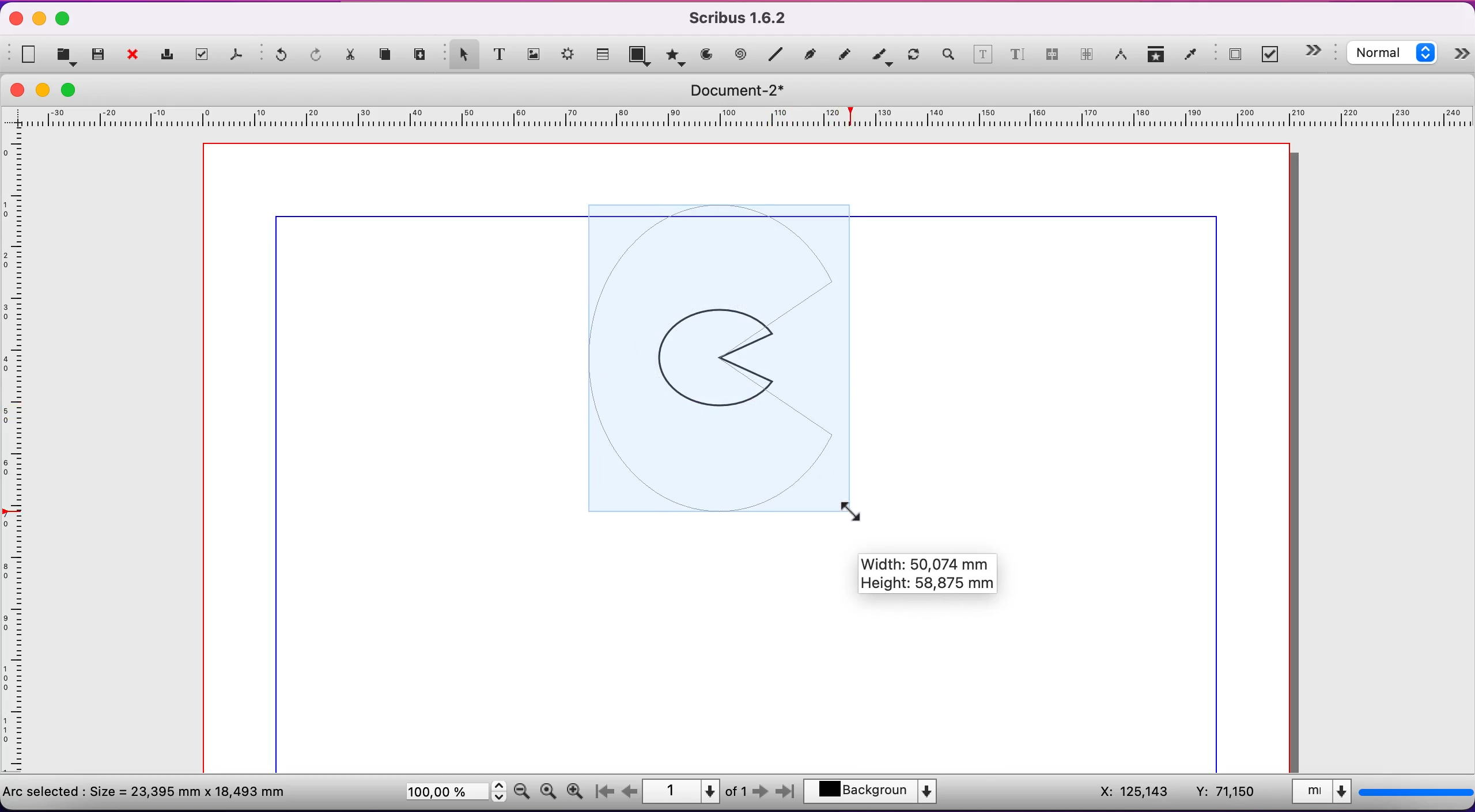 The height and width of the screenshot is (812, 1475). Describe the element at coordinates (569, 57) in the screenshot. I see `render frame` at that location.